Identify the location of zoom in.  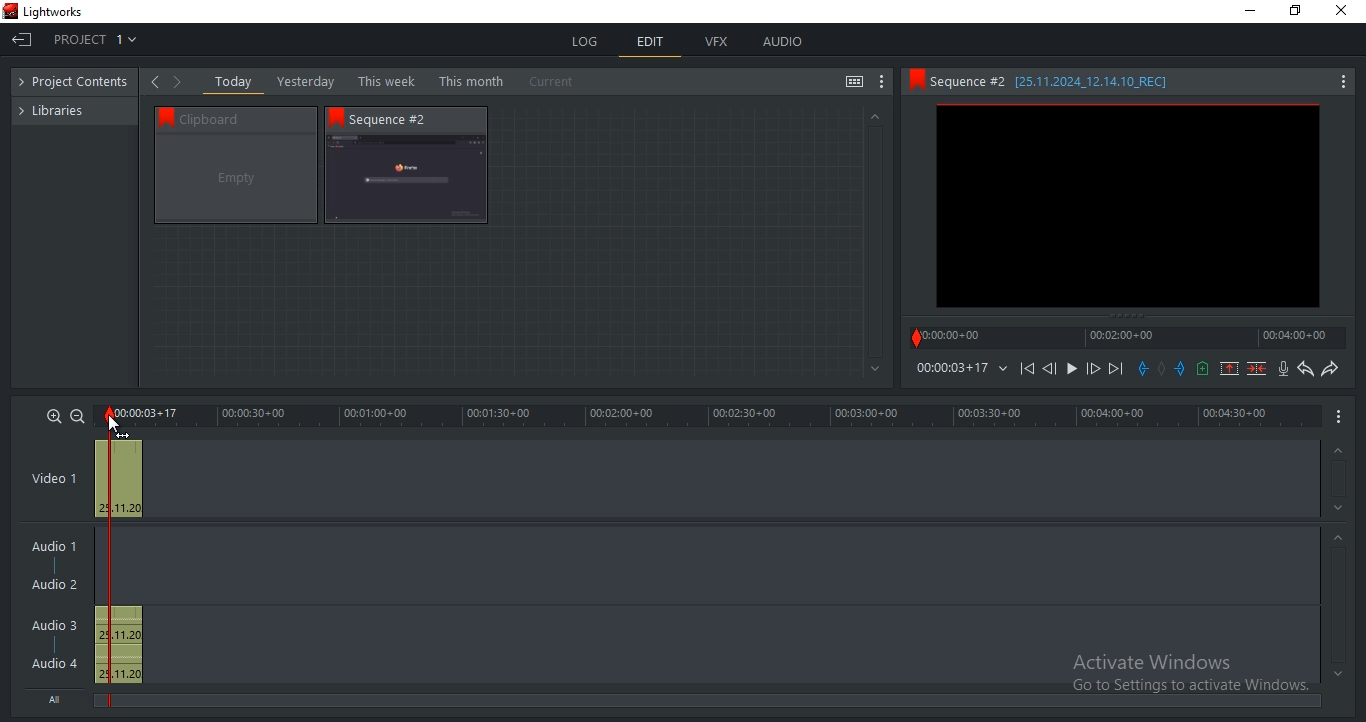
(54, 415).